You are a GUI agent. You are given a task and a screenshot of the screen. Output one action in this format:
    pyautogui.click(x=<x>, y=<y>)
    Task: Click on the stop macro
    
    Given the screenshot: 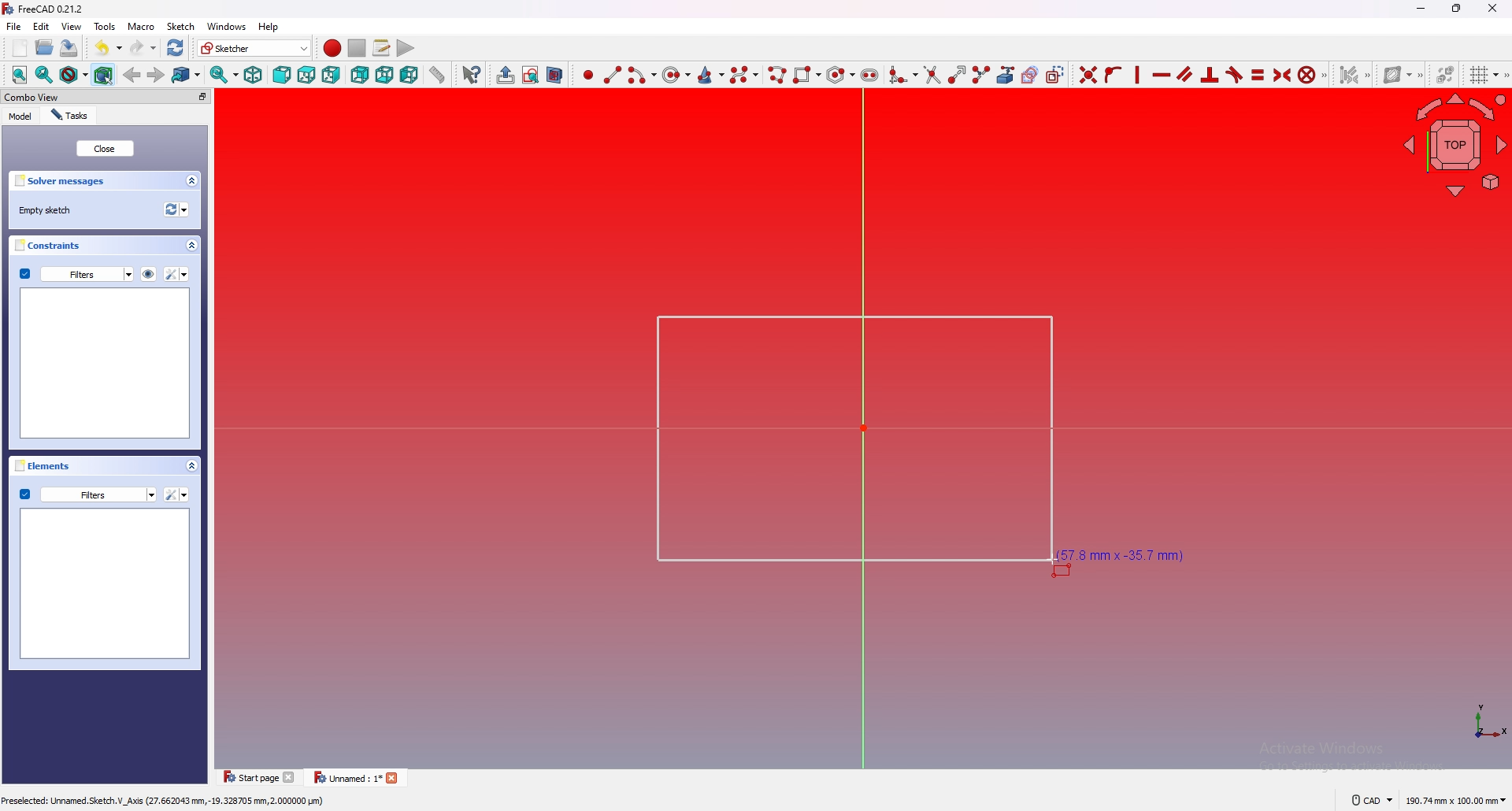 What is the action you would take?
    pyautogui.click(x=356, y=47)
    